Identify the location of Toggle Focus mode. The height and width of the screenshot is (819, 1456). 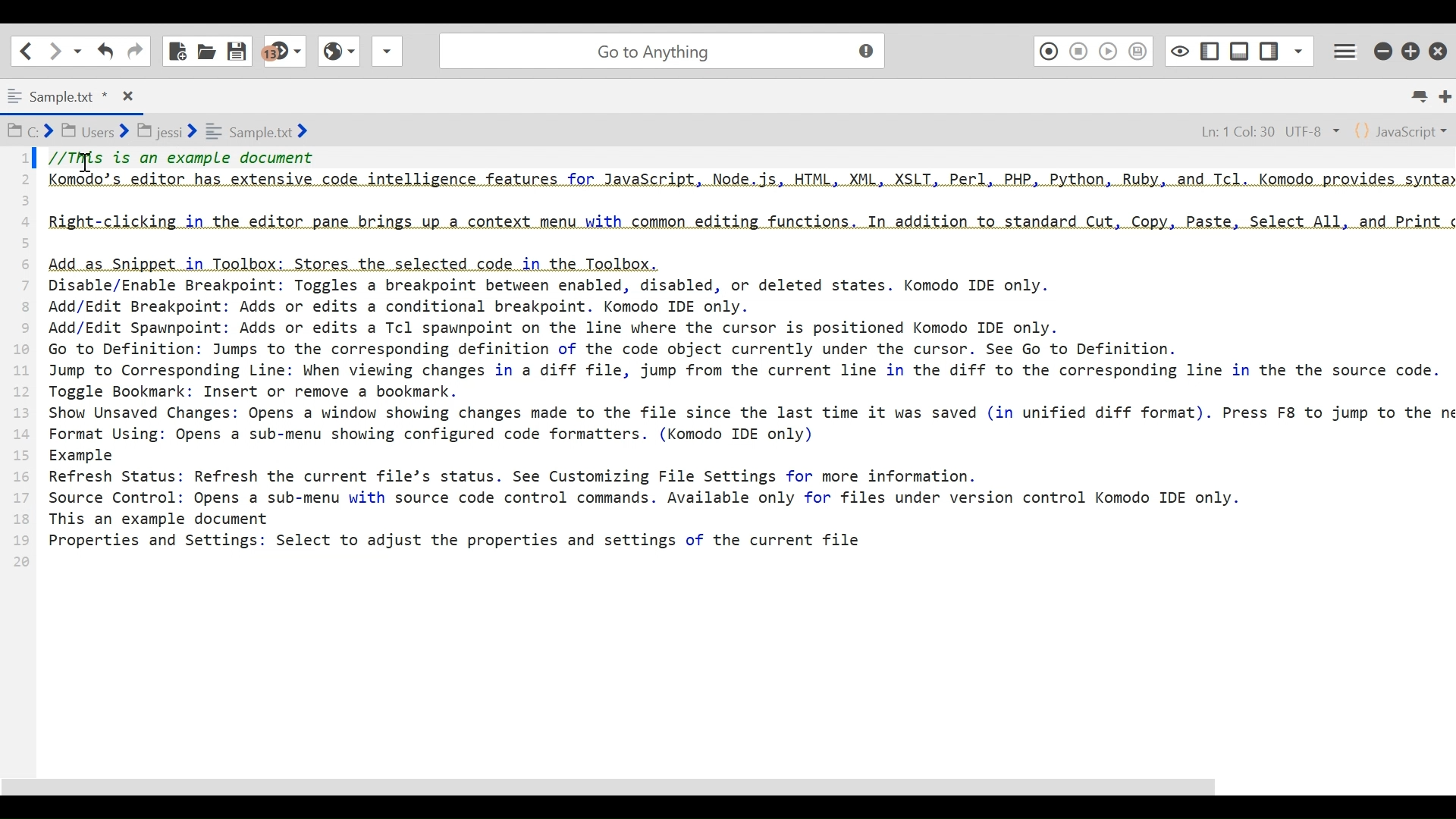
(1178, 50).